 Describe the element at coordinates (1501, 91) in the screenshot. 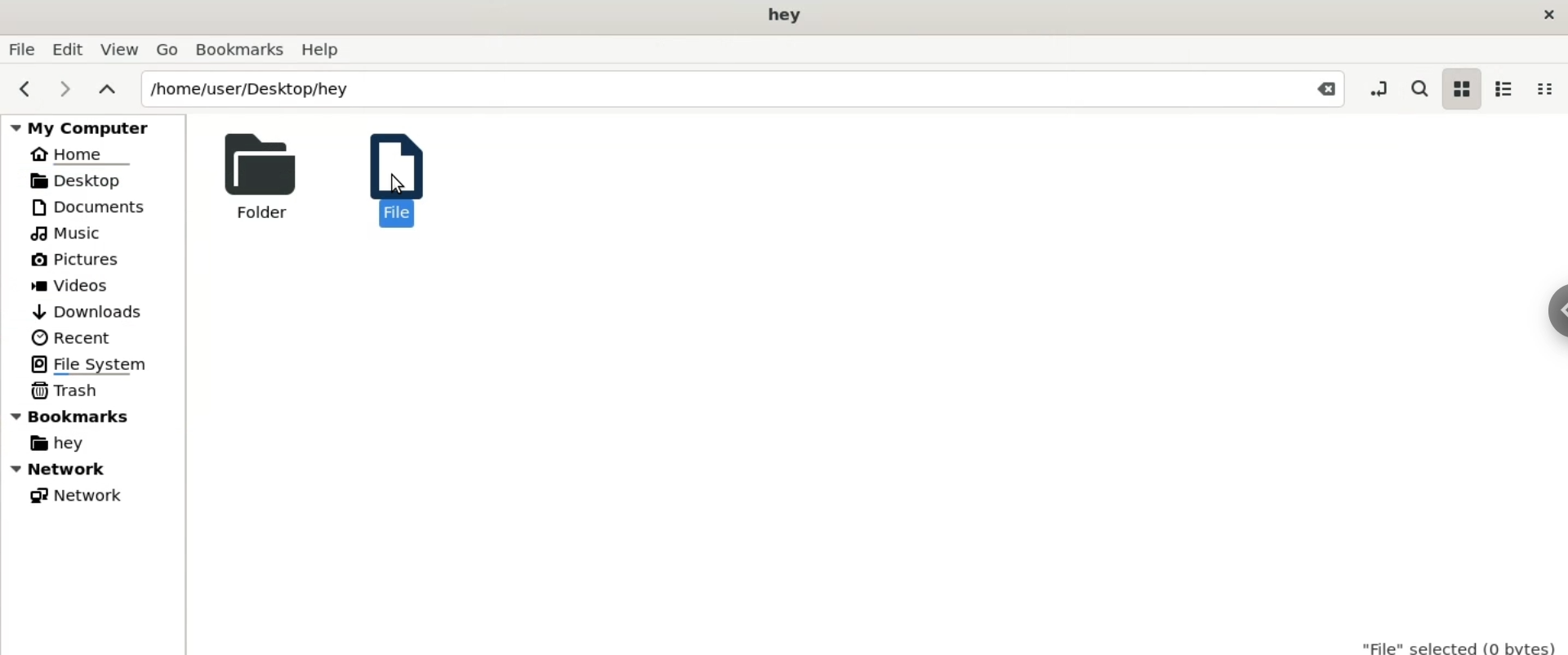

I see `list view` at that location.